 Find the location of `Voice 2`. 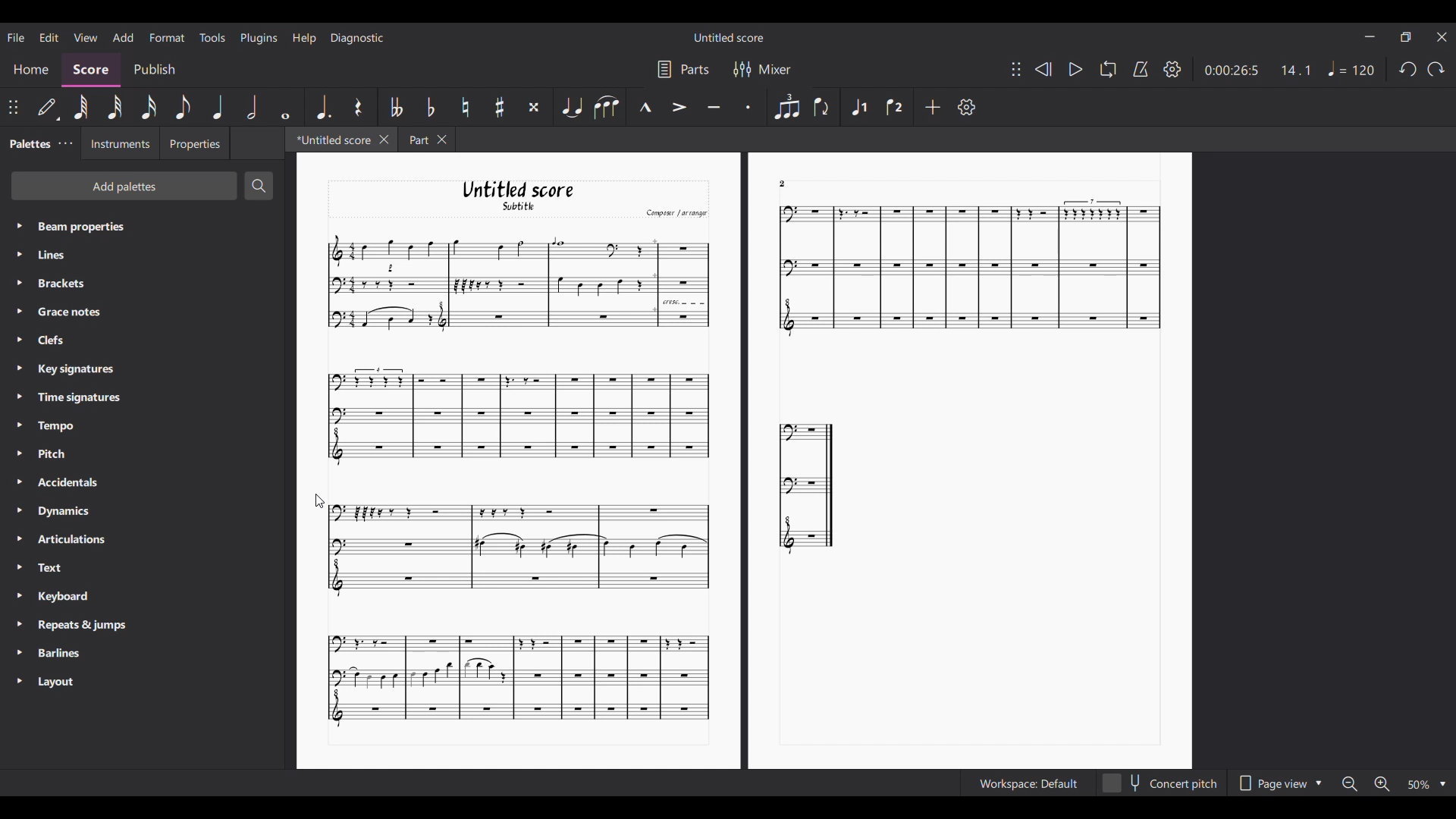

Voice 2 is located at coordinates (895, 107).